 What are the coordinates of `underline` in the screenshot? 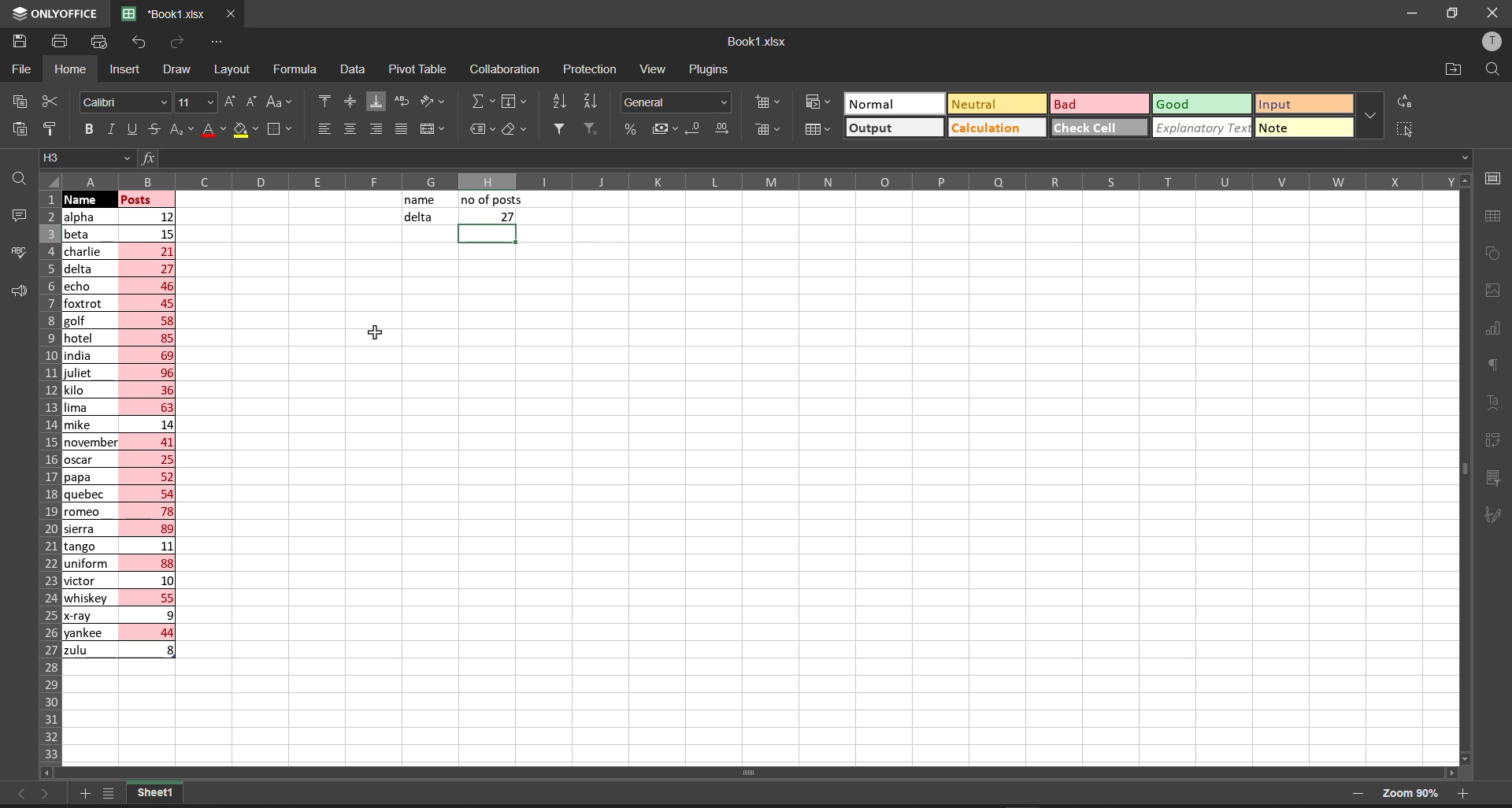 It's located at (129, 128).